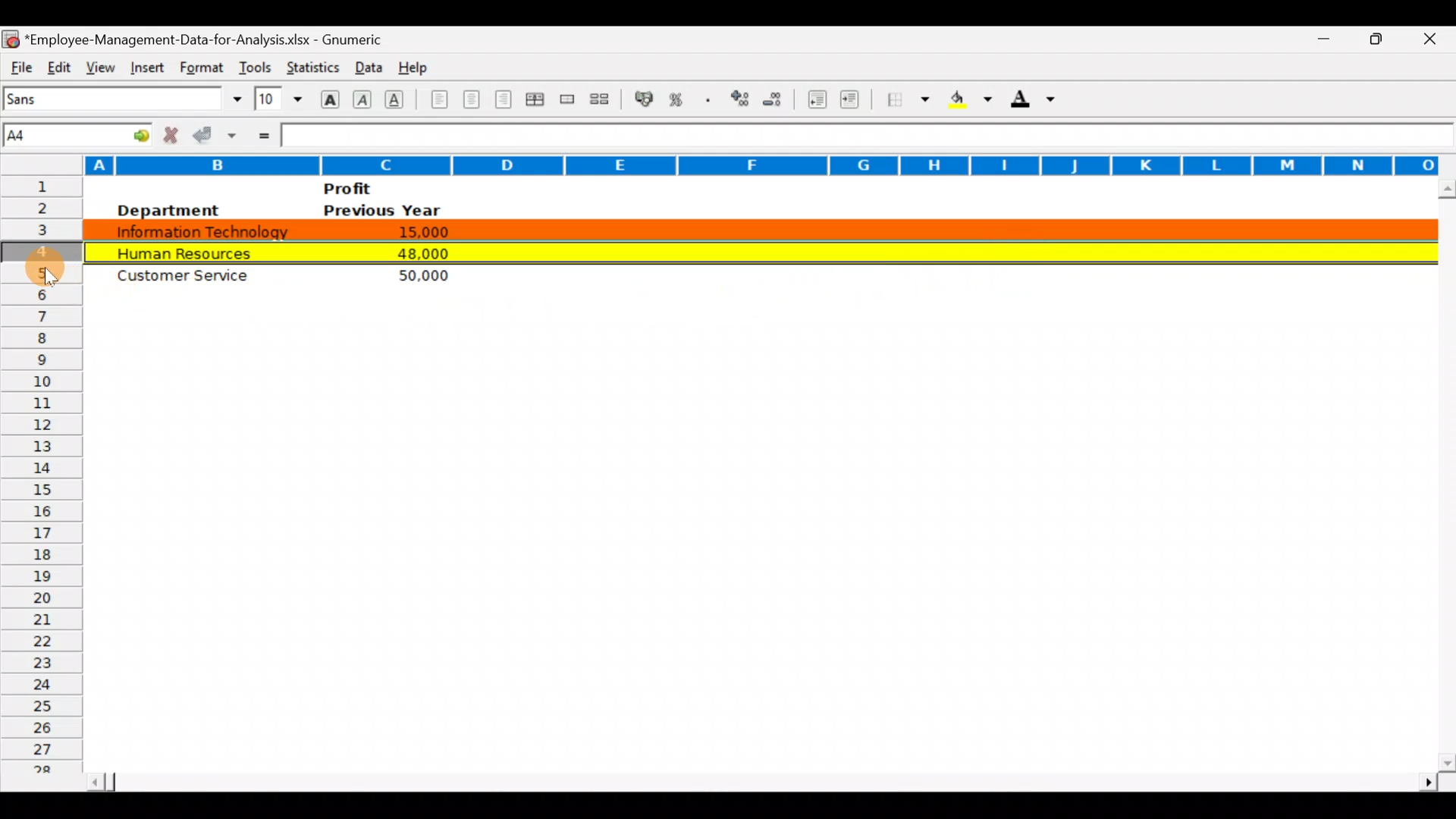 The width and height of the screenshot is (1456, 819). I want to click on Help, so click(414, 64).